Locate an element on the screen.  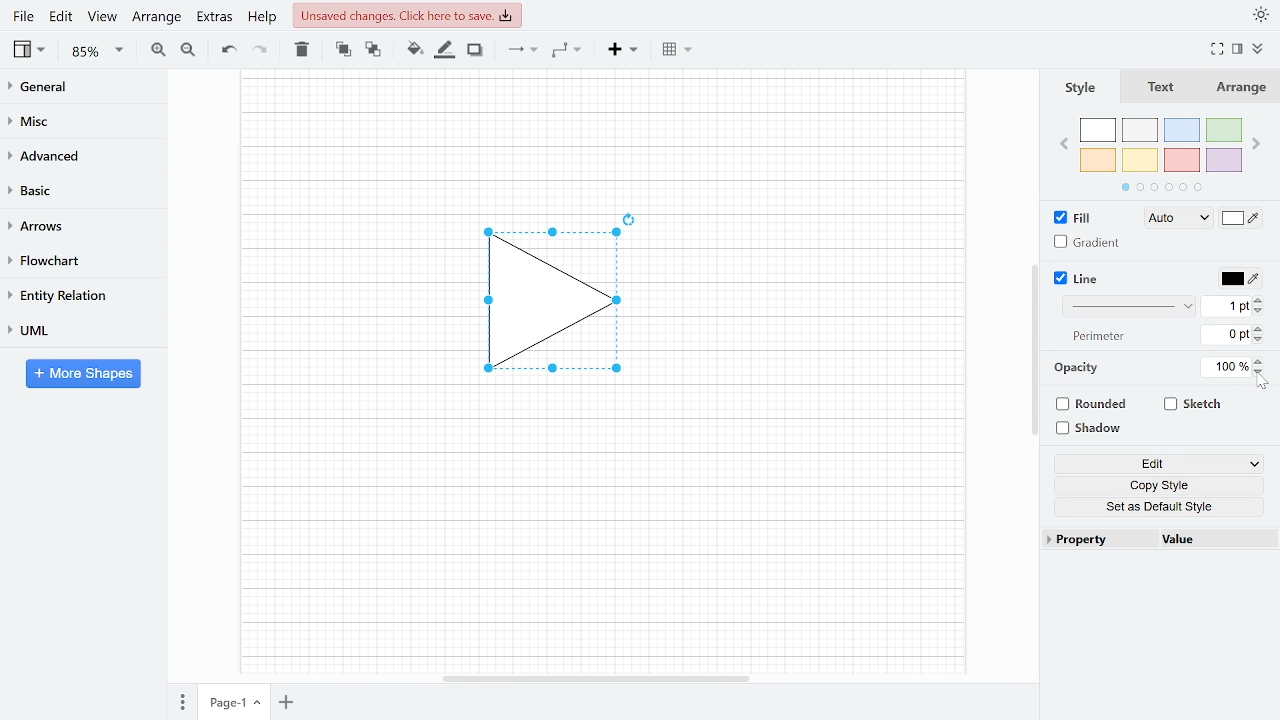
workspace is located at coordinates (601, 535).